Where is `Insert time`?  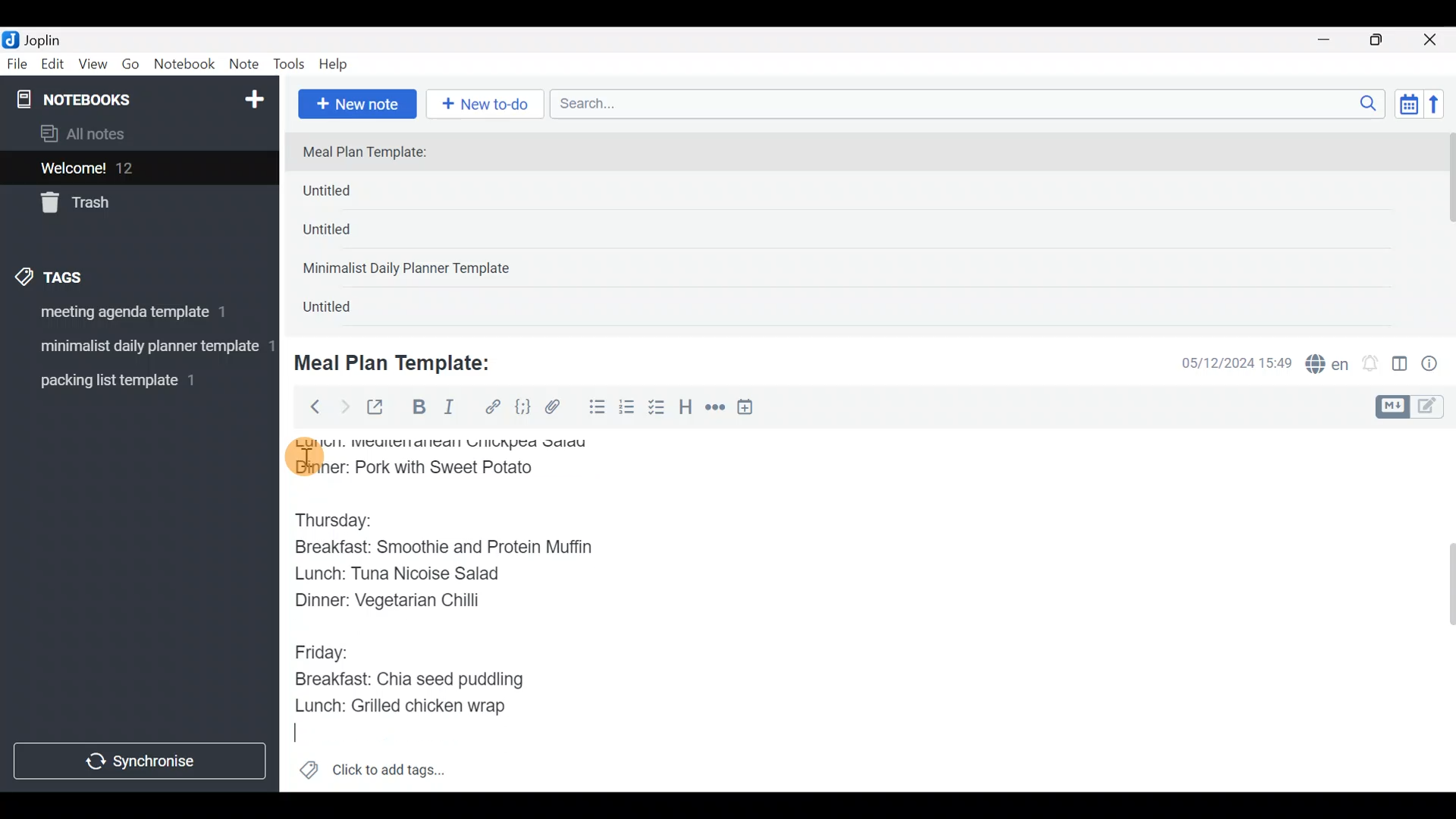
Insert time is located at coordinates (752, 409).